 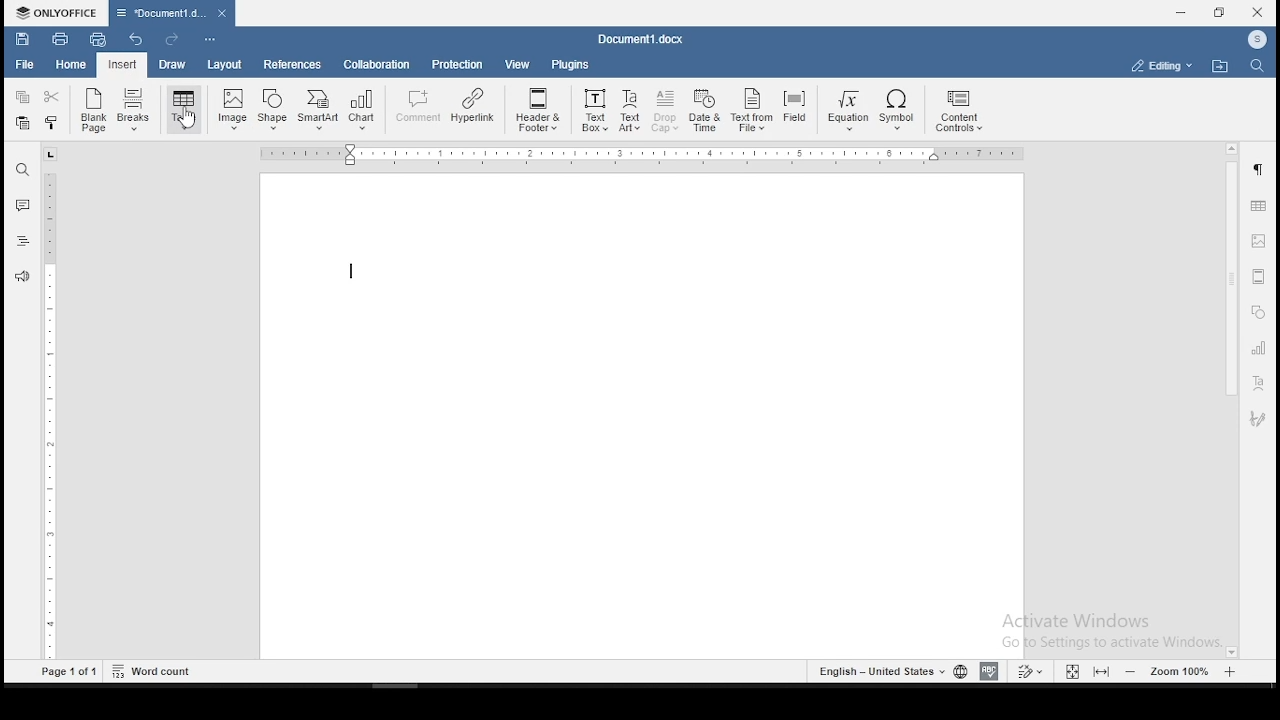 What do you see at coordinates (22, 203) in the screenshot?
I see `comment` at bounding box center [22, 203].